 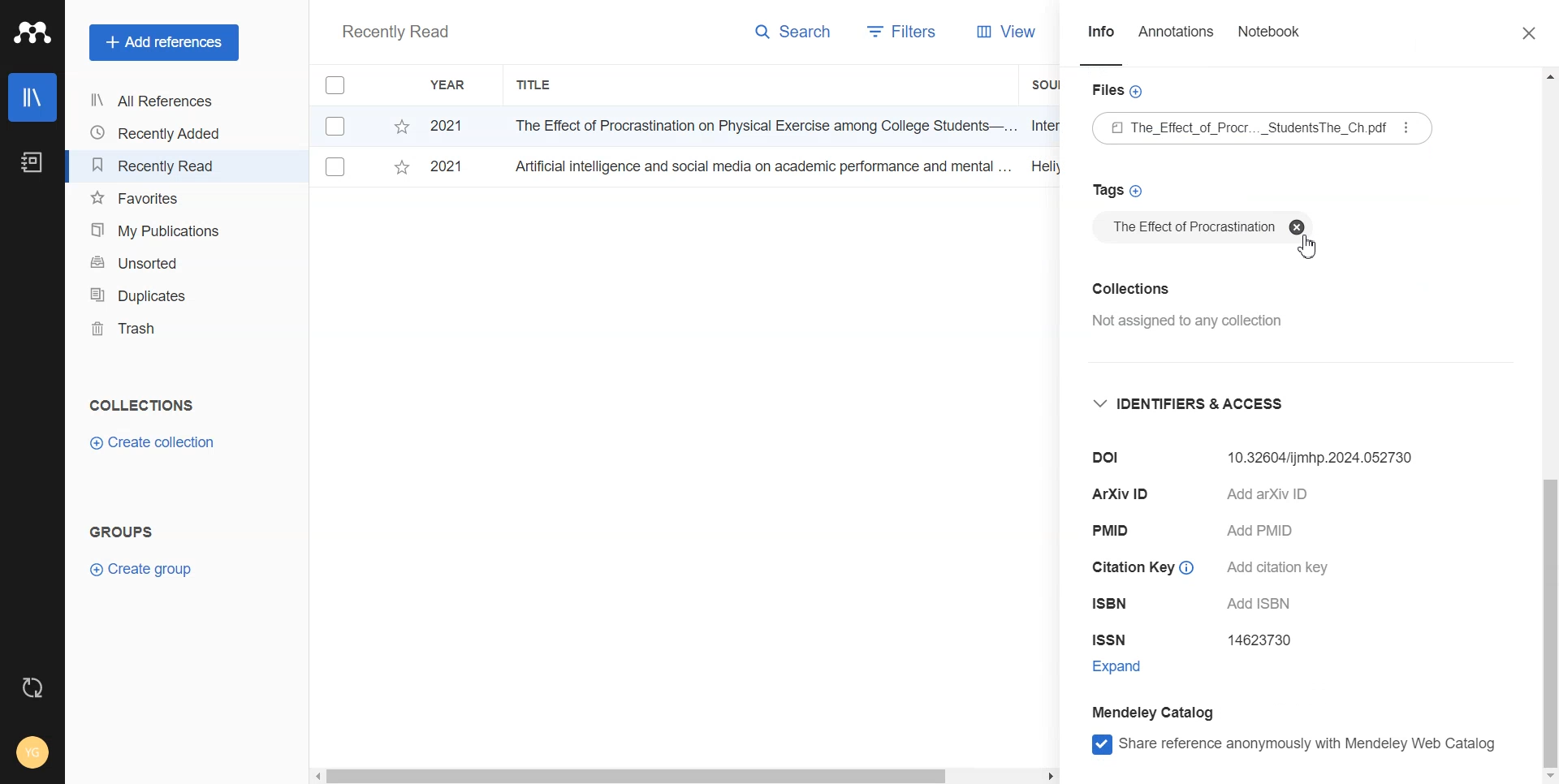 I want to click on Horizontal scroll bar, so click(x=684, y=774).